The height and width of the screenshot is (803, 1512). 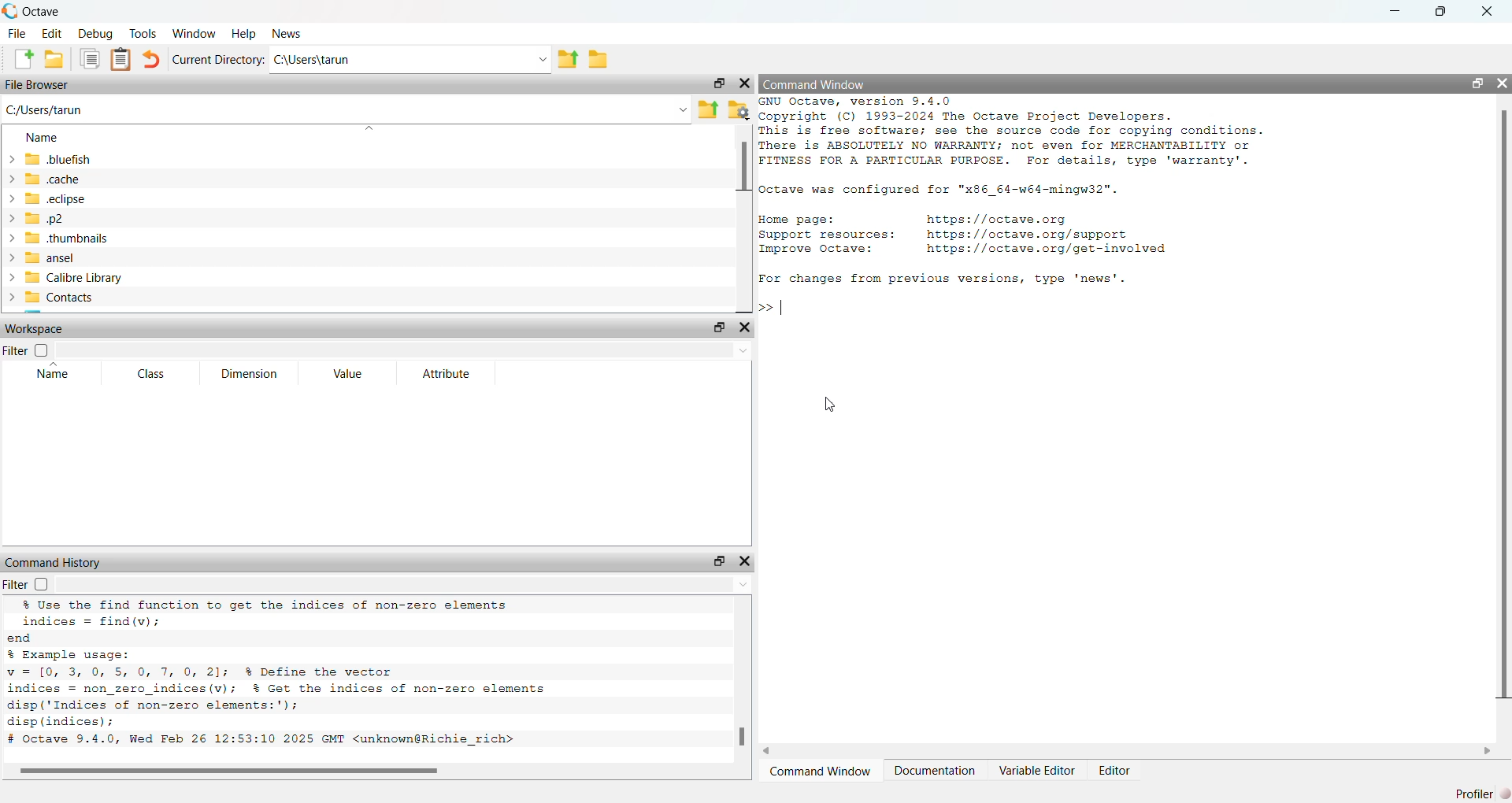 What do you see at coordinates (599, 62) in the screenshot?
I see `folder` at bounding box center [599, 62].